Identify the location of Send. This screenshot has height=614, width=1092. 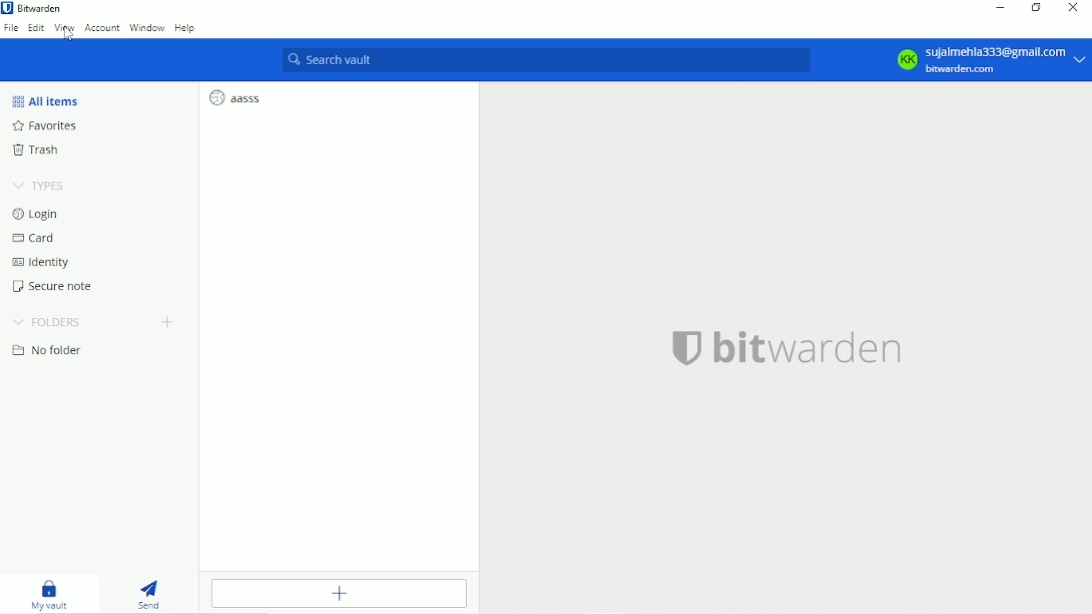
(154, 595).